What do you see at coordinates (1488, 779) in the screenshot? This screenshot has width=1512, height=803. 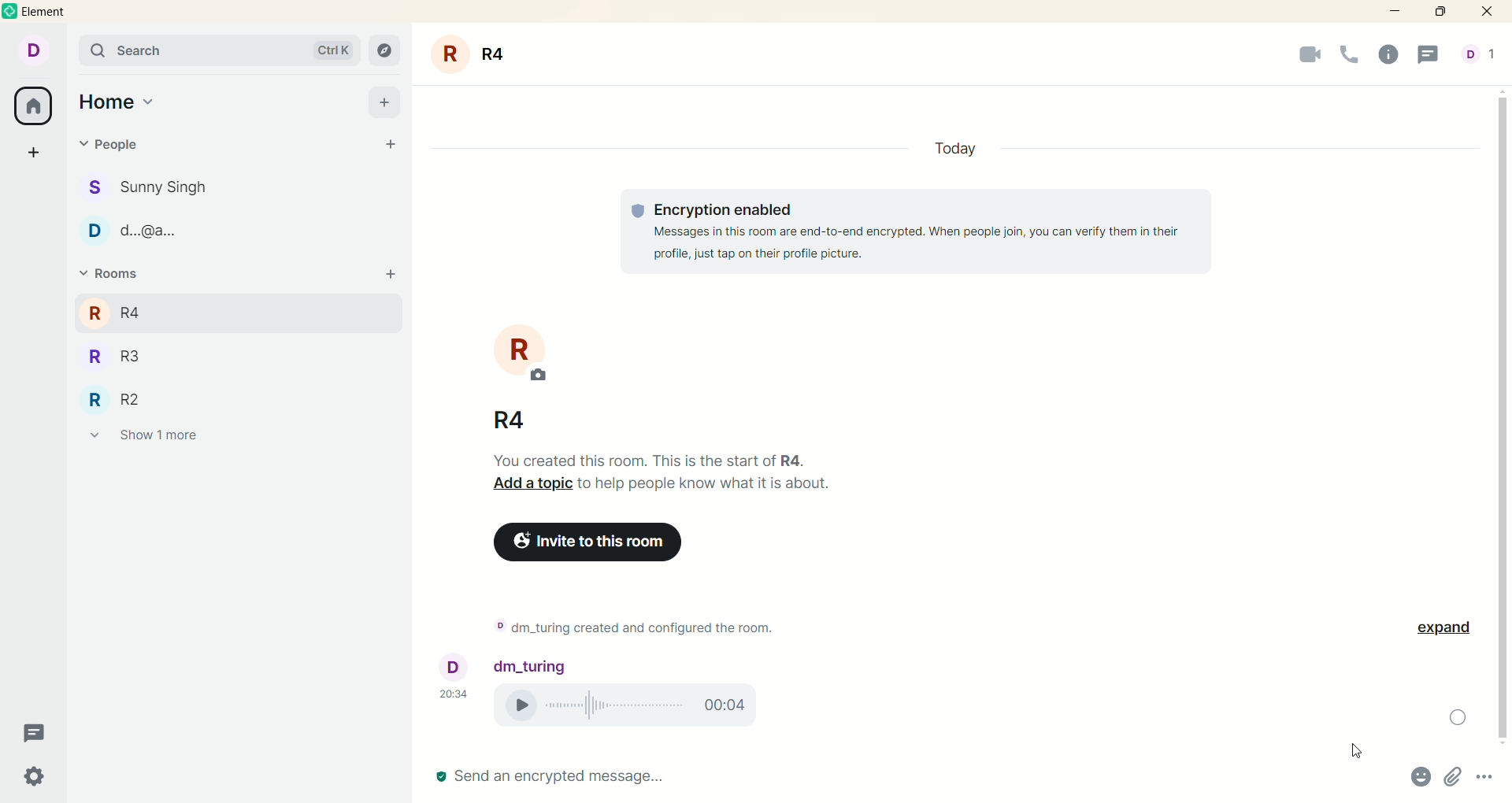 I see `` at bounding box center [1488, 779].